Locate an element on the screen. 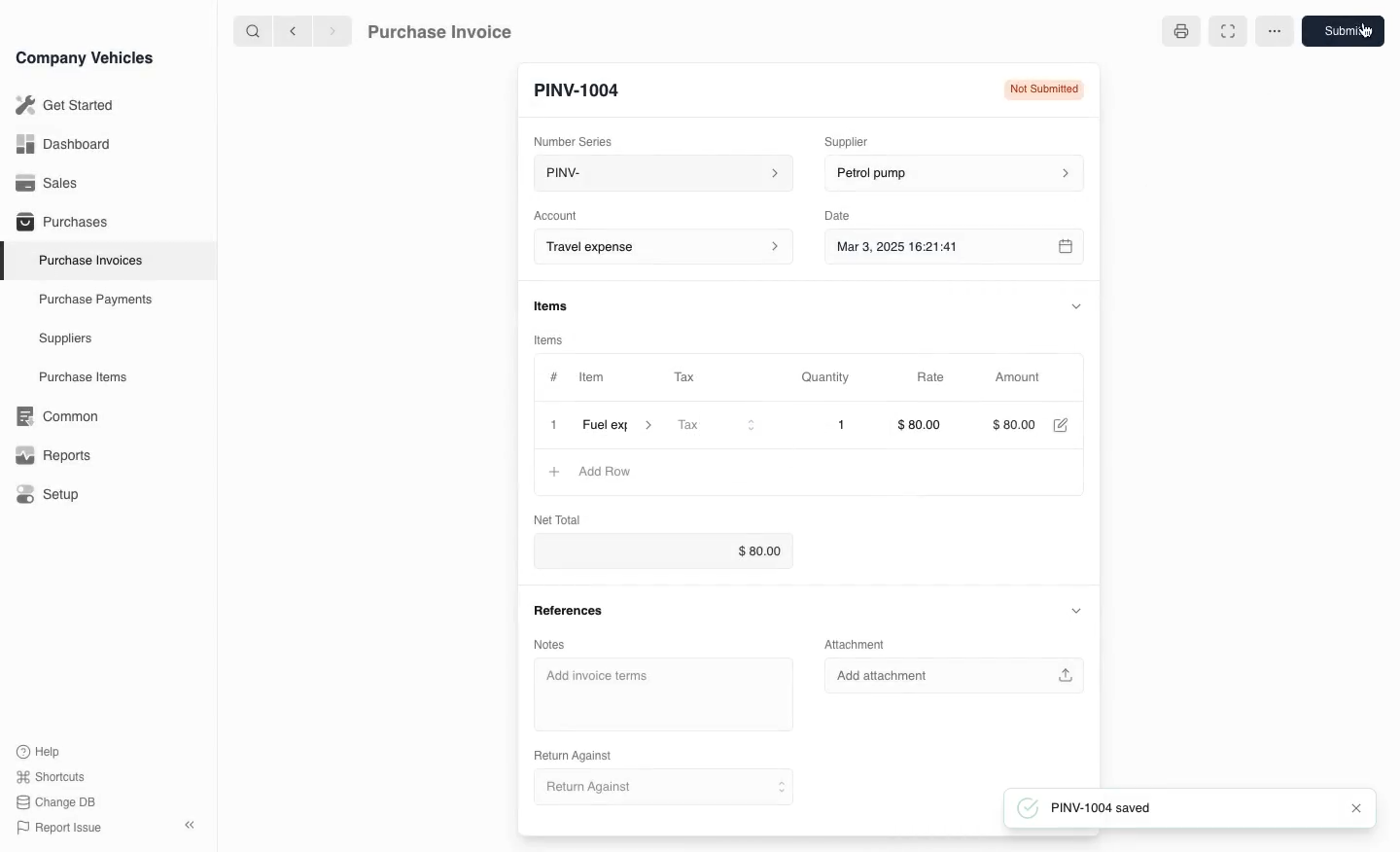 The width and height of the screenshot is (1400, 852). item   is located at coordinates (617, 428).